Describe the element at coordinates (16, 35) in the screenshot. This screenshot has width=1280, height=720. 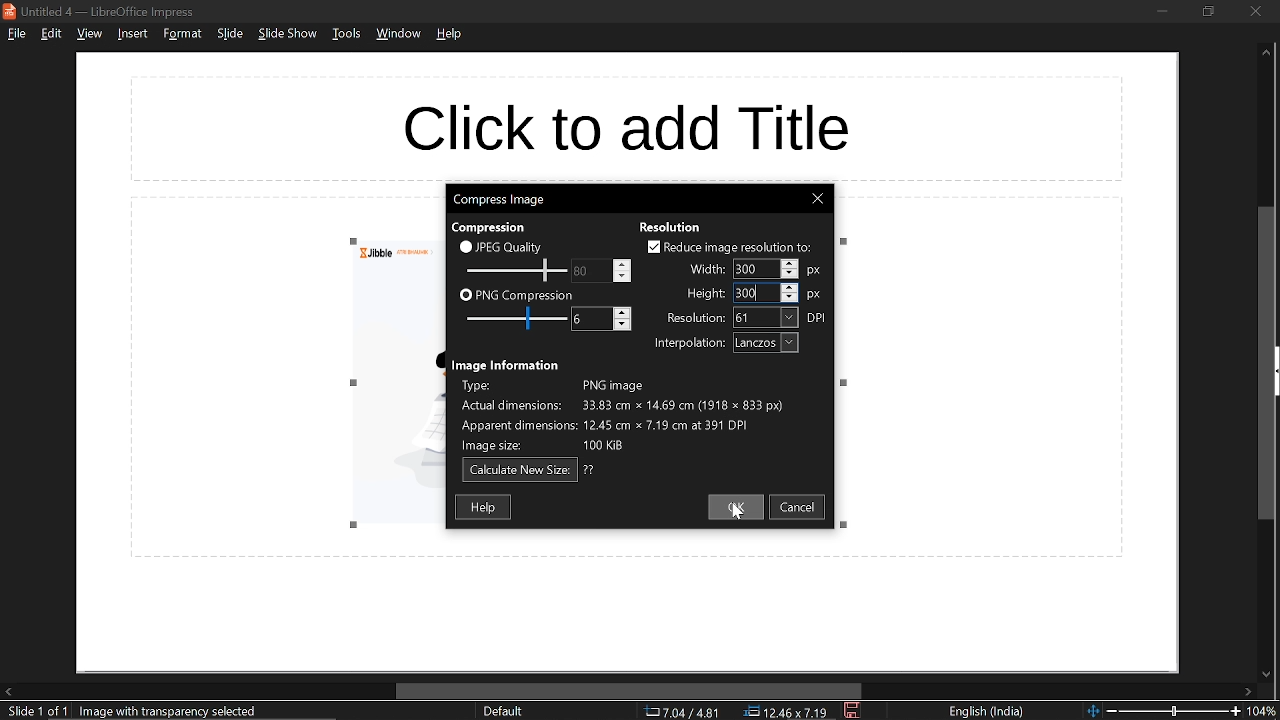
I see `file` at that location.